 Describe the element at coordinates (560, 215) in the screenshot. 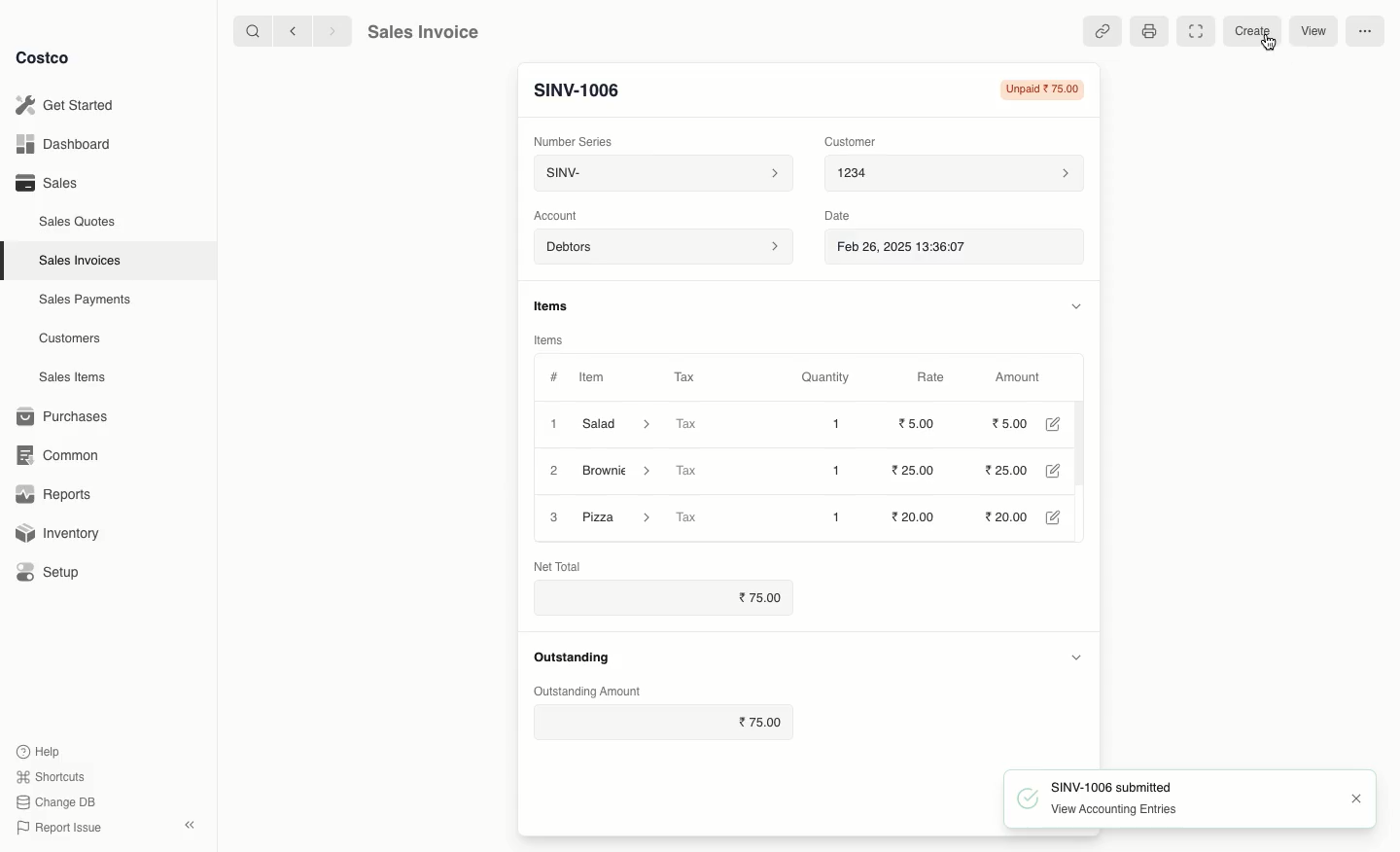

I see `‘Account` at that location.